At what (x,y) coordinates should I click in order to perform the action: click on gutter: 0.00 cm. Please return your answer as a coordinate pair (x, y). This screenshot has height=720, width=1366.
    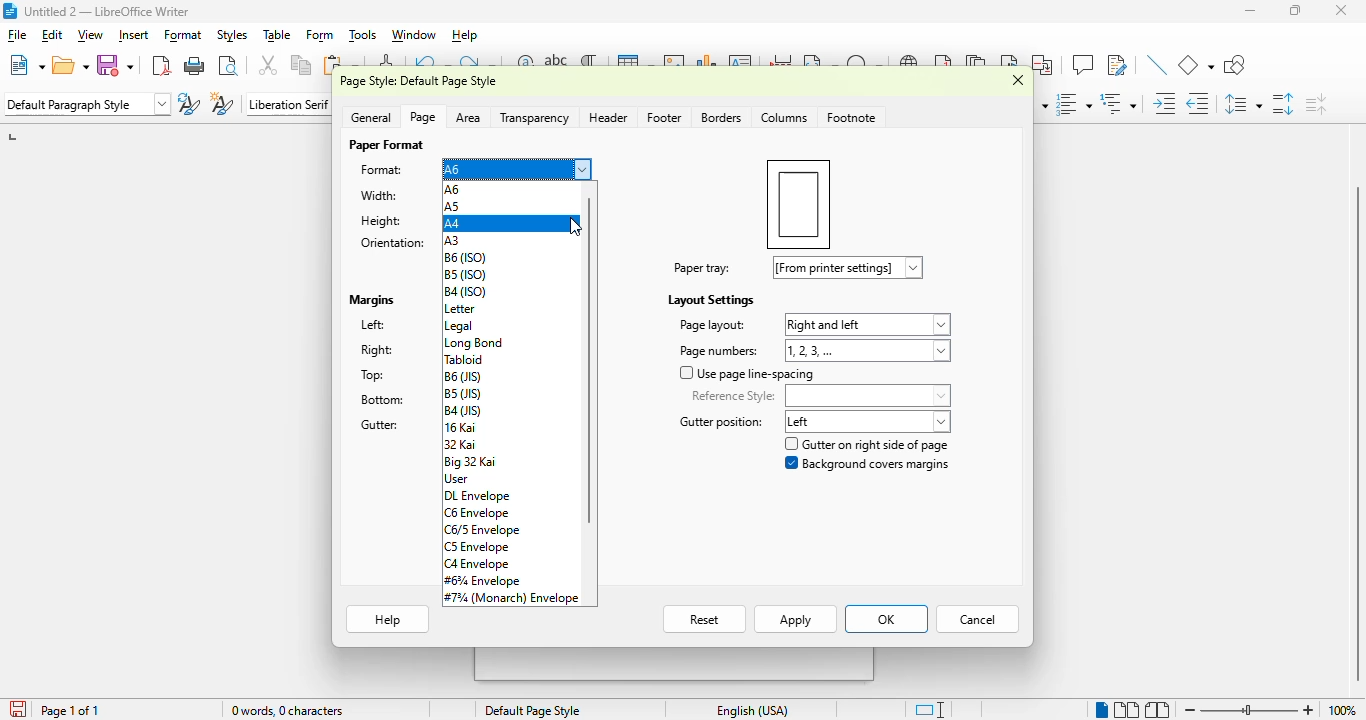
    Looking at the image, I should click on (384, 425).